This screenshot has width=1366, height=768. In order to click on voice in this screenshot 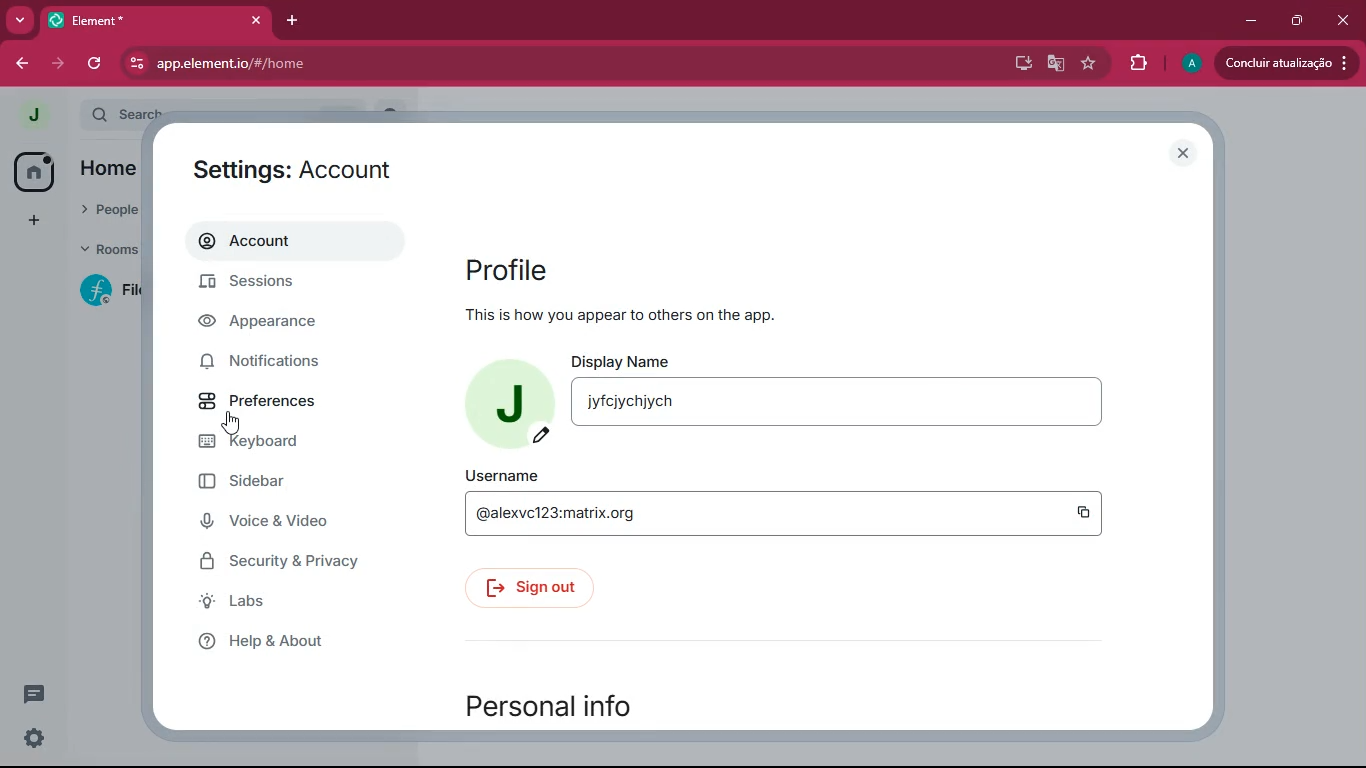, I will do `click(277, 523)`.